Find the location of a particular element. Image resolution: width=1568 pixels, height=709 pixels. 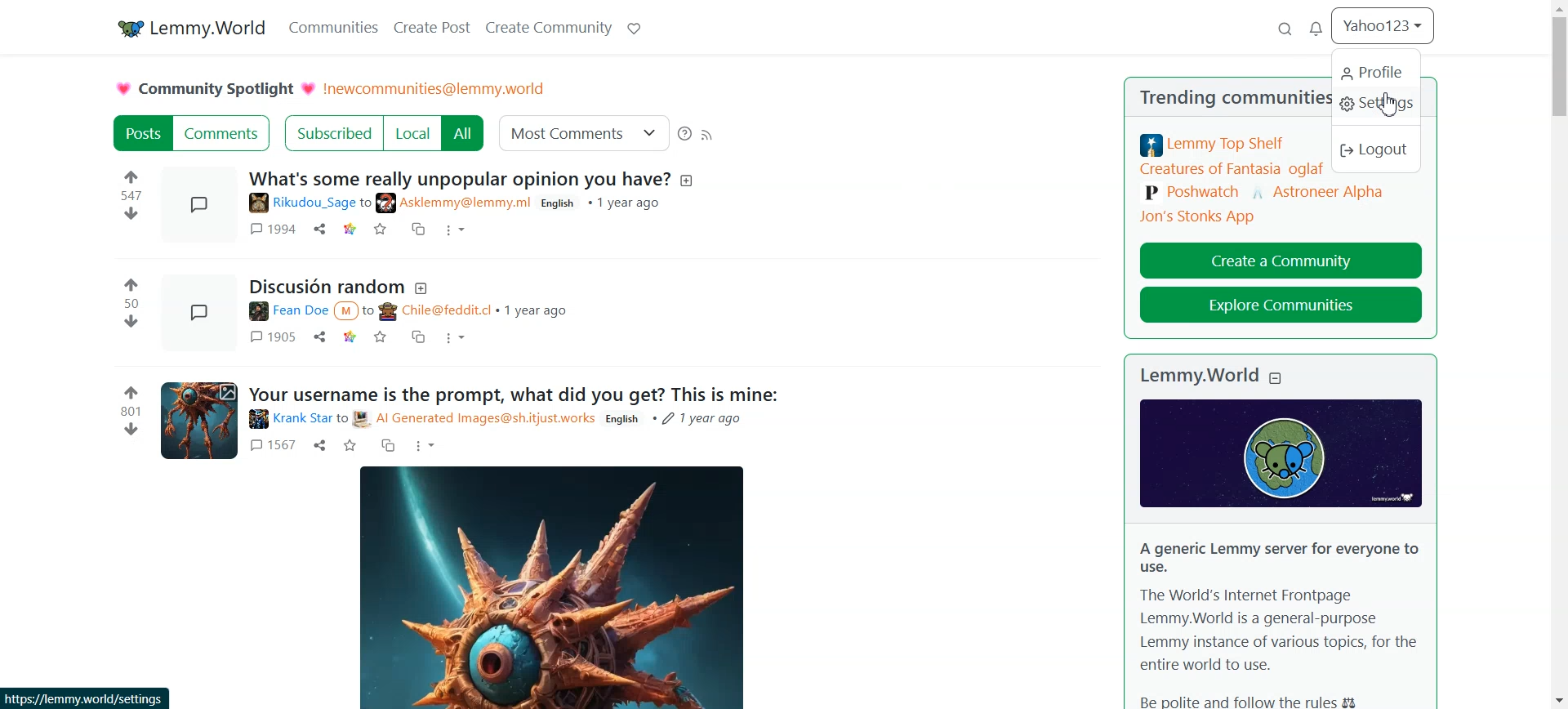

description is located at coordinates (423, 288).